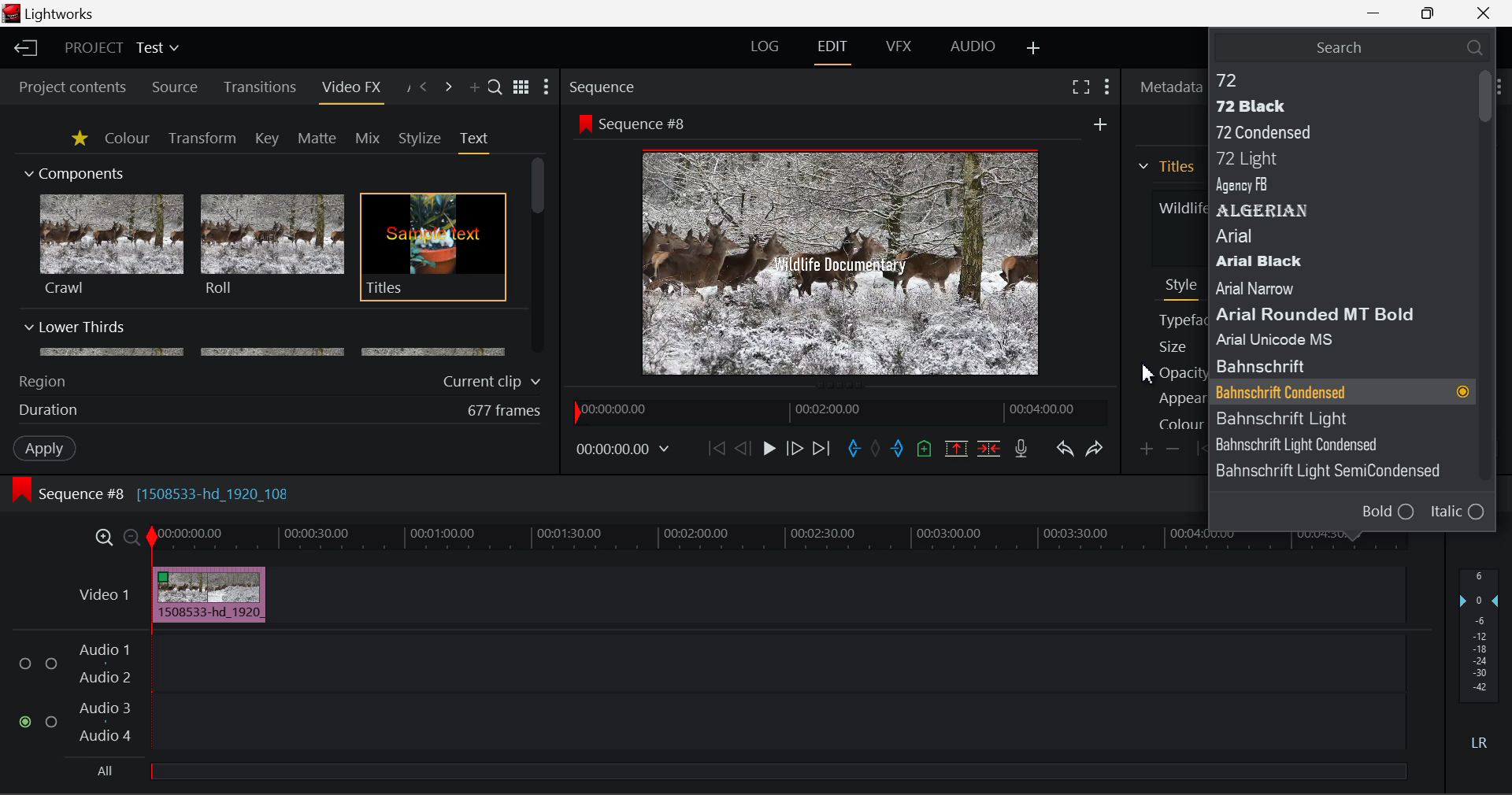 Image resolution: width=1512 pixels, height=795 pixels. Describe the element at coordinates (472, 88) in the screenshot. I see `Add Panel` at that location.